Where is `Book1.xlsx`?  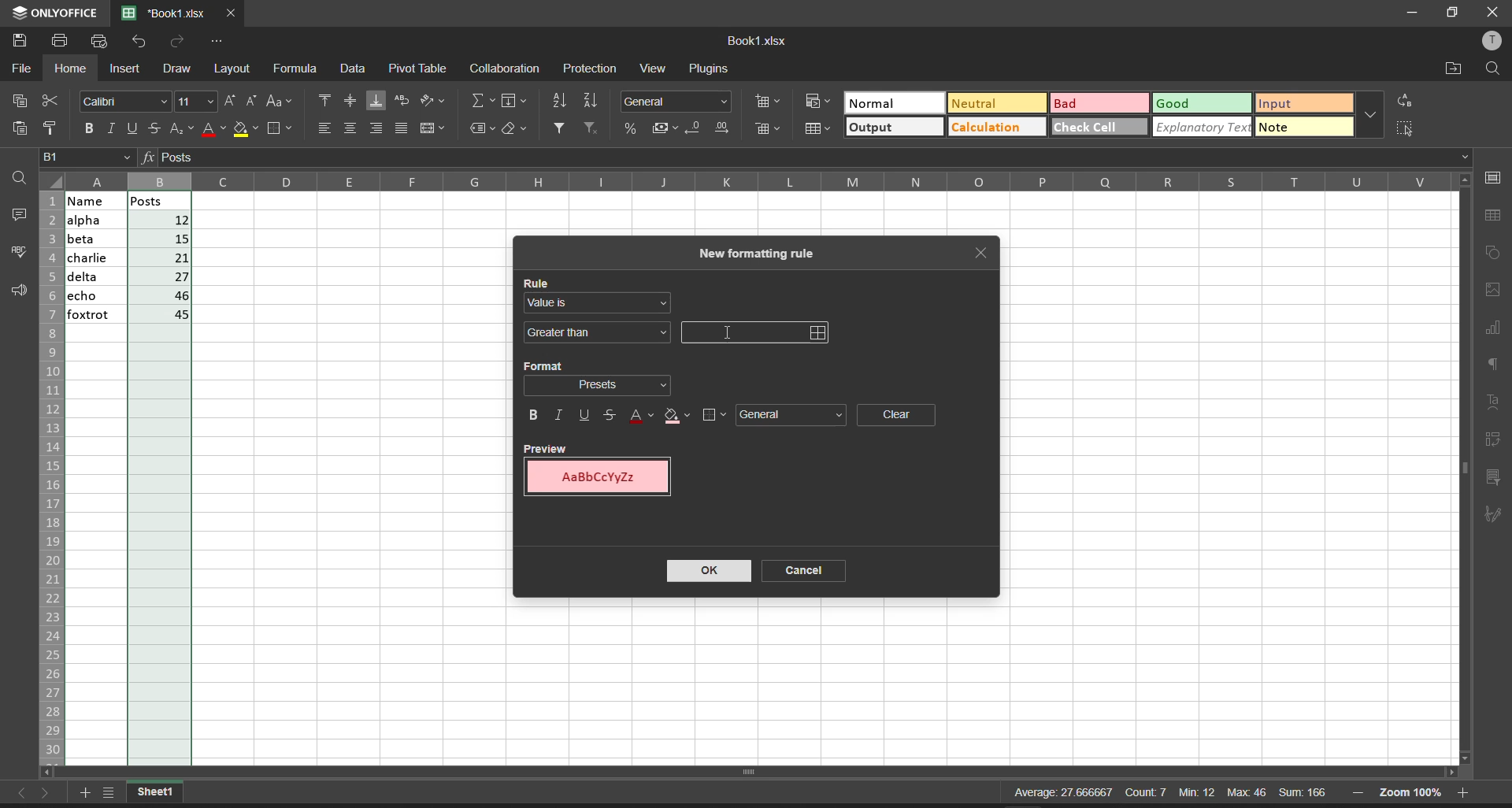 Book1.xlsx is located at coordinates (755, 40).